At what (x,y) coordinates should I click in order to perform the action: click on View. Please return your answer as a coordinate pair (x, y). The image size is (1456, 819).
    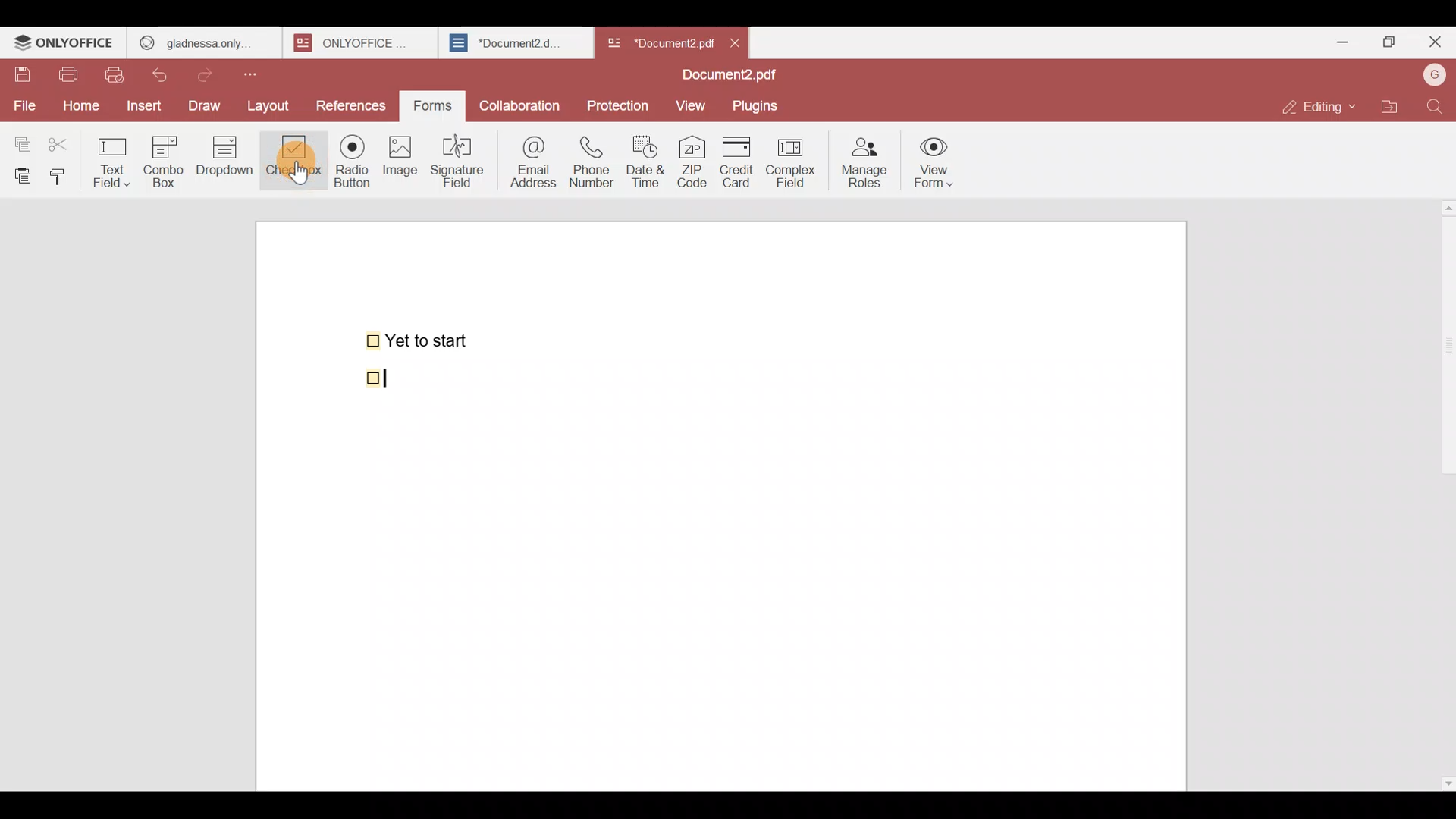
    Looking at the image, I should click on (693, 105).